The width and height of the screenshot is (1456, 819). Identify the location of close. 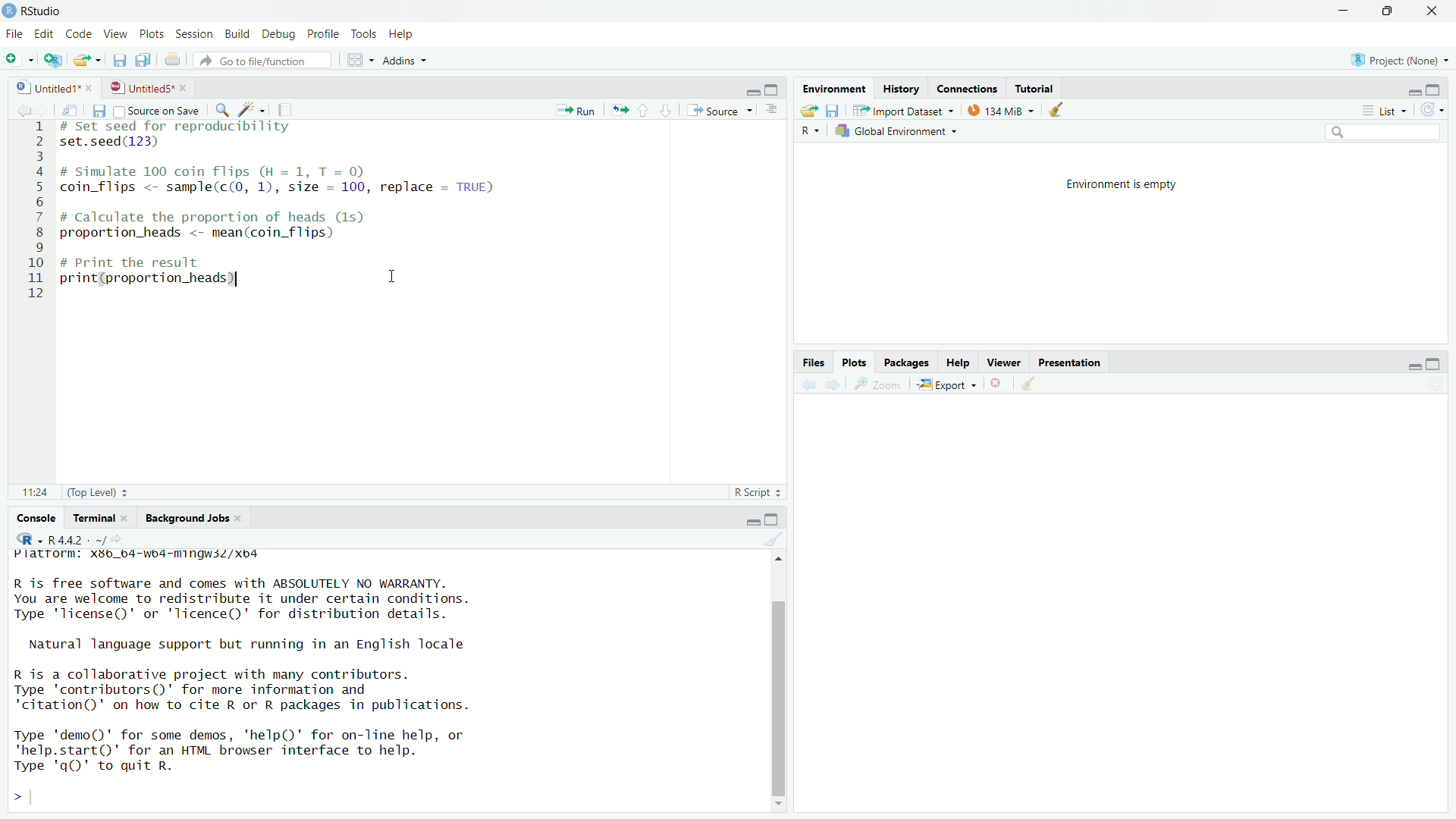
(128, 517).